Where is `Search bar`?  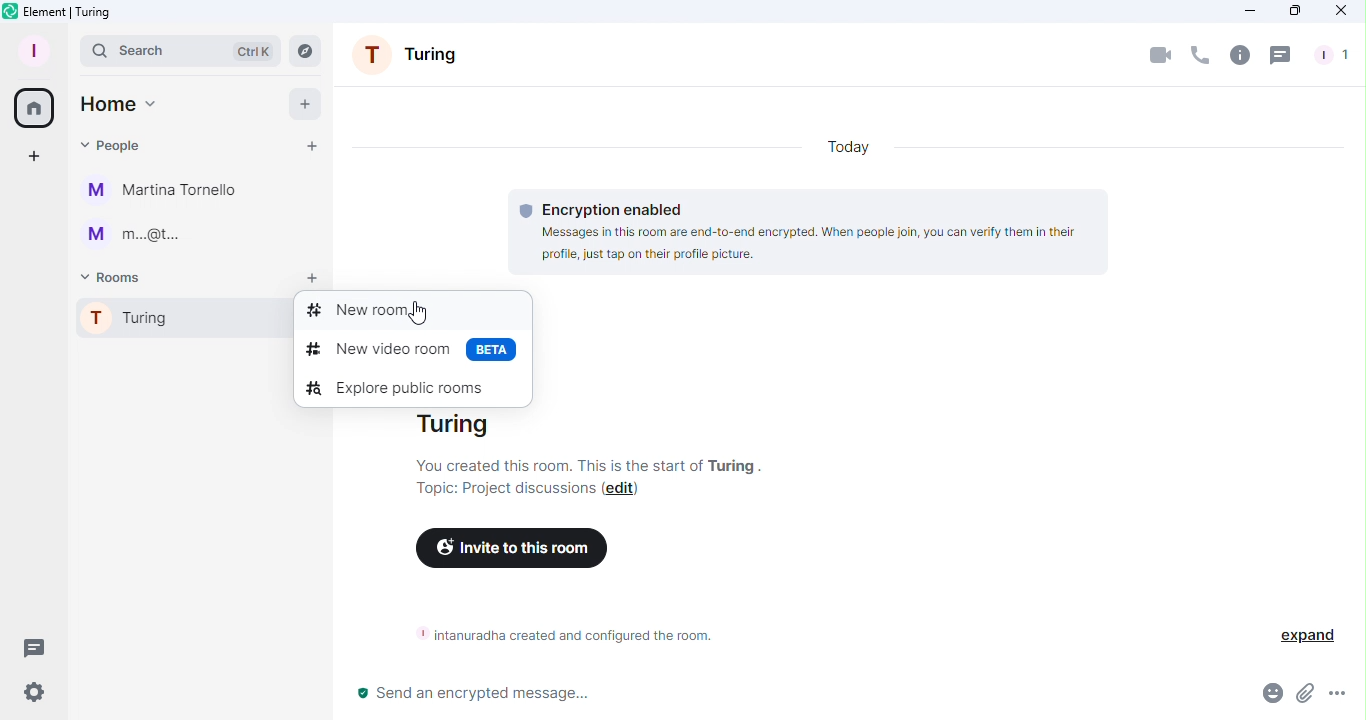 Search bar is located at coordinates (180, 50).